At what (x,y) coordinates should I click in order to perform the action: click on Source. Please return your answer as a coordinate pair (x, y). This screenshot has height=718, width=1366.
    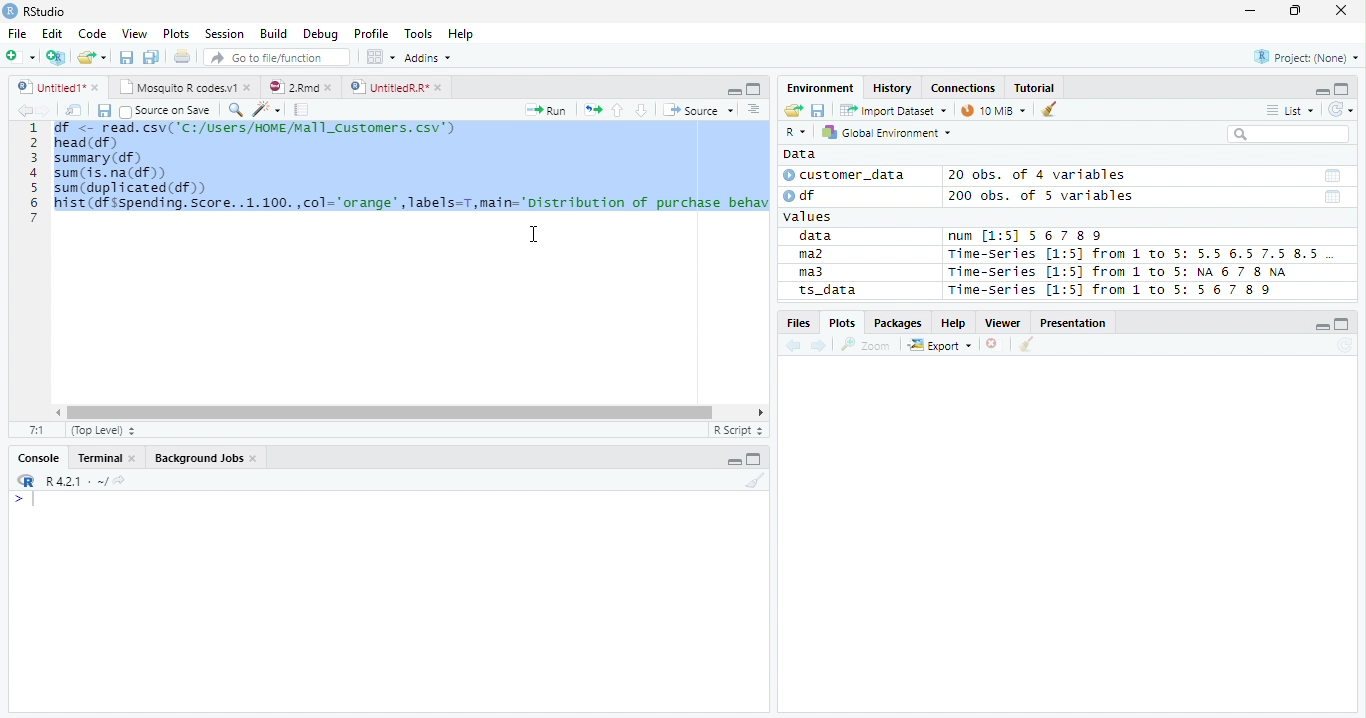
    Looking at the image, I should click on (696, 110).